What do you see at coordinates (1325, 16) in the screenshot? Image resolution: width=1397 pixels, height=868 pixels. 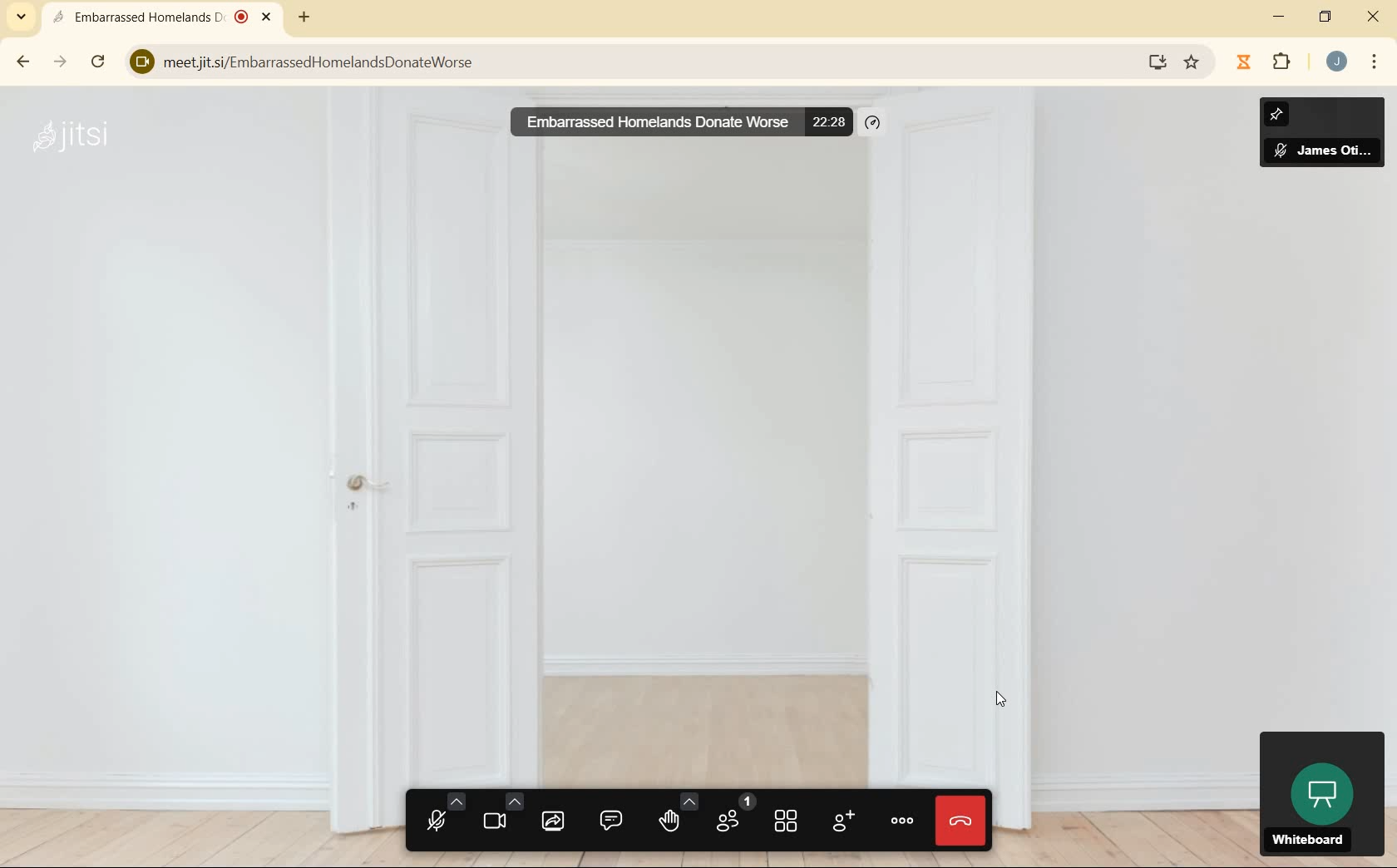 I see `restore down` at bounding box center [1325, 16].